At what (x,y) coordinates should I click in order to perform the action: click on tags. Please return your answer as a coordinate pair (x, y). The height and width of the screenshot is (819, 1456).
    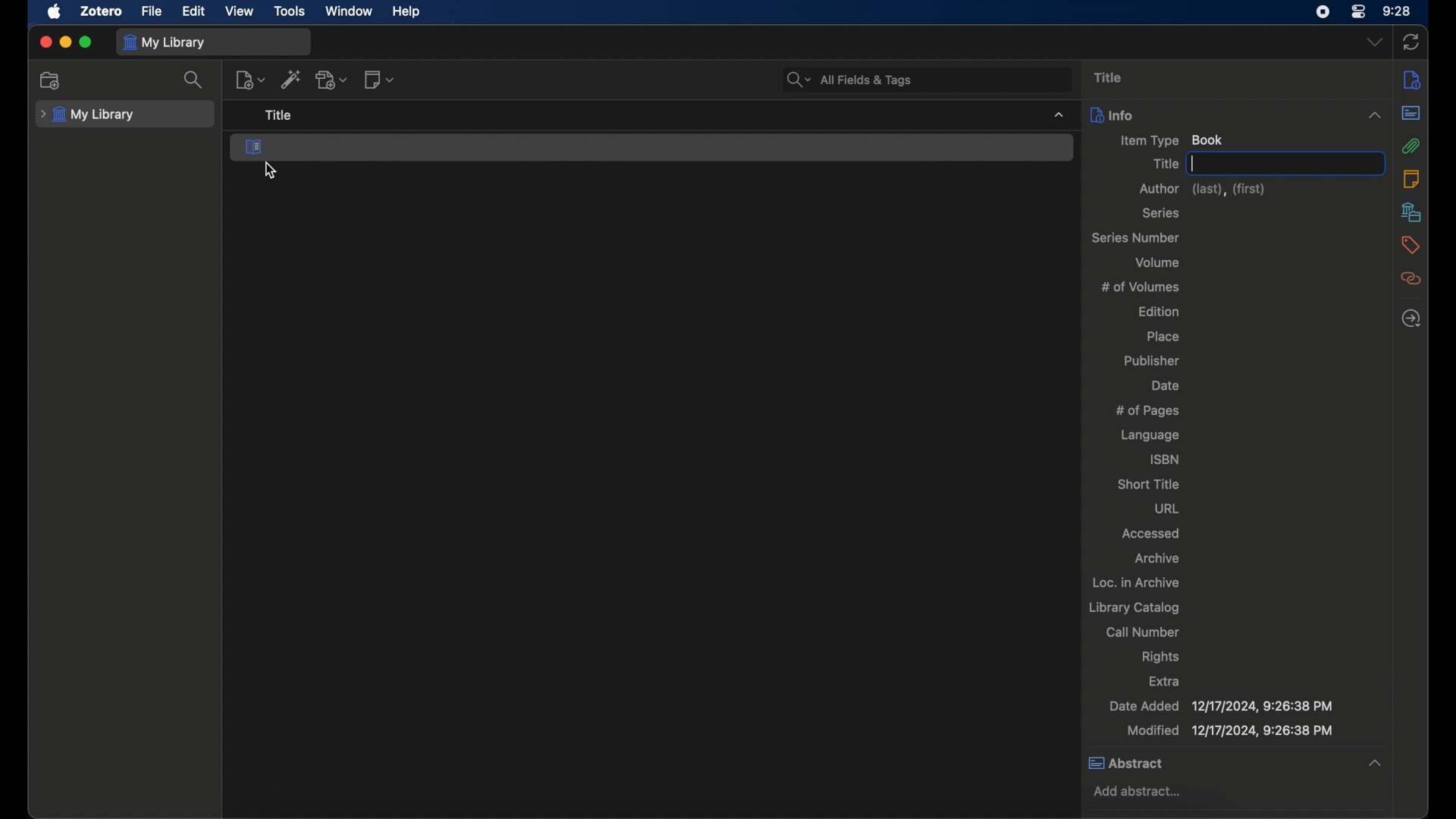
    Looking at the image, I should click on (1410, 245).